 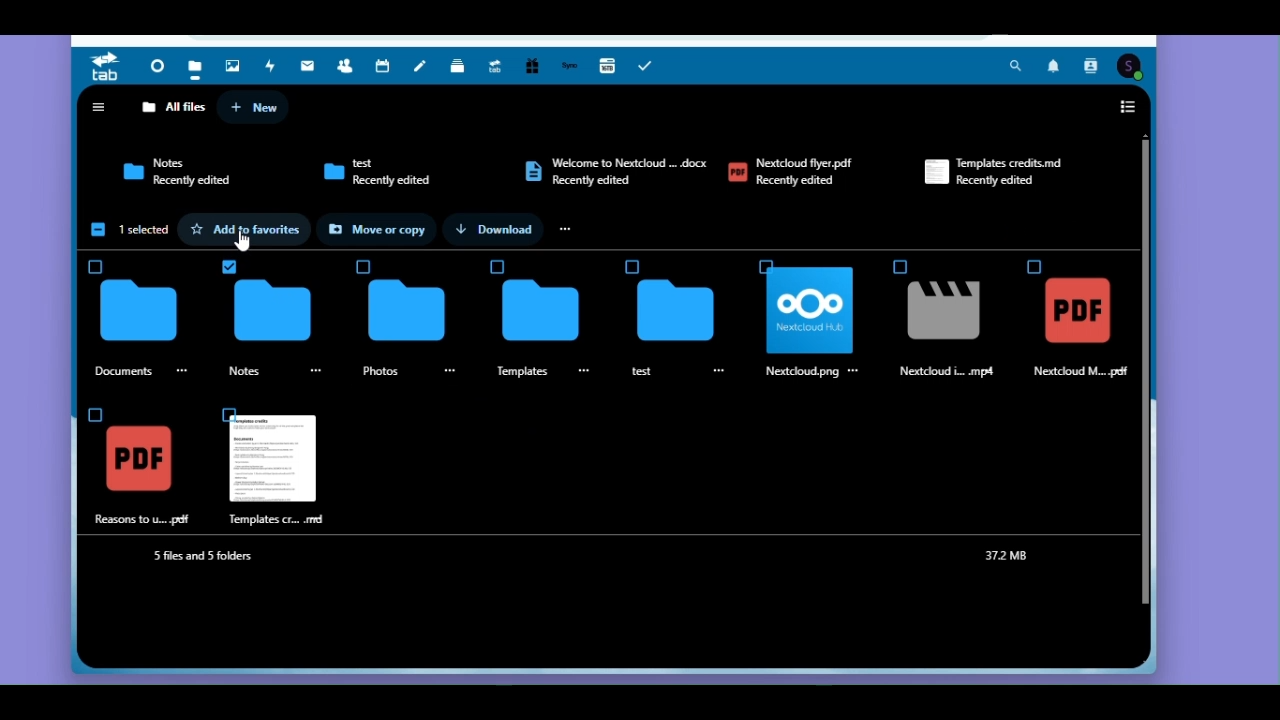 I want to click on Icon, so click(x=542, y=312).